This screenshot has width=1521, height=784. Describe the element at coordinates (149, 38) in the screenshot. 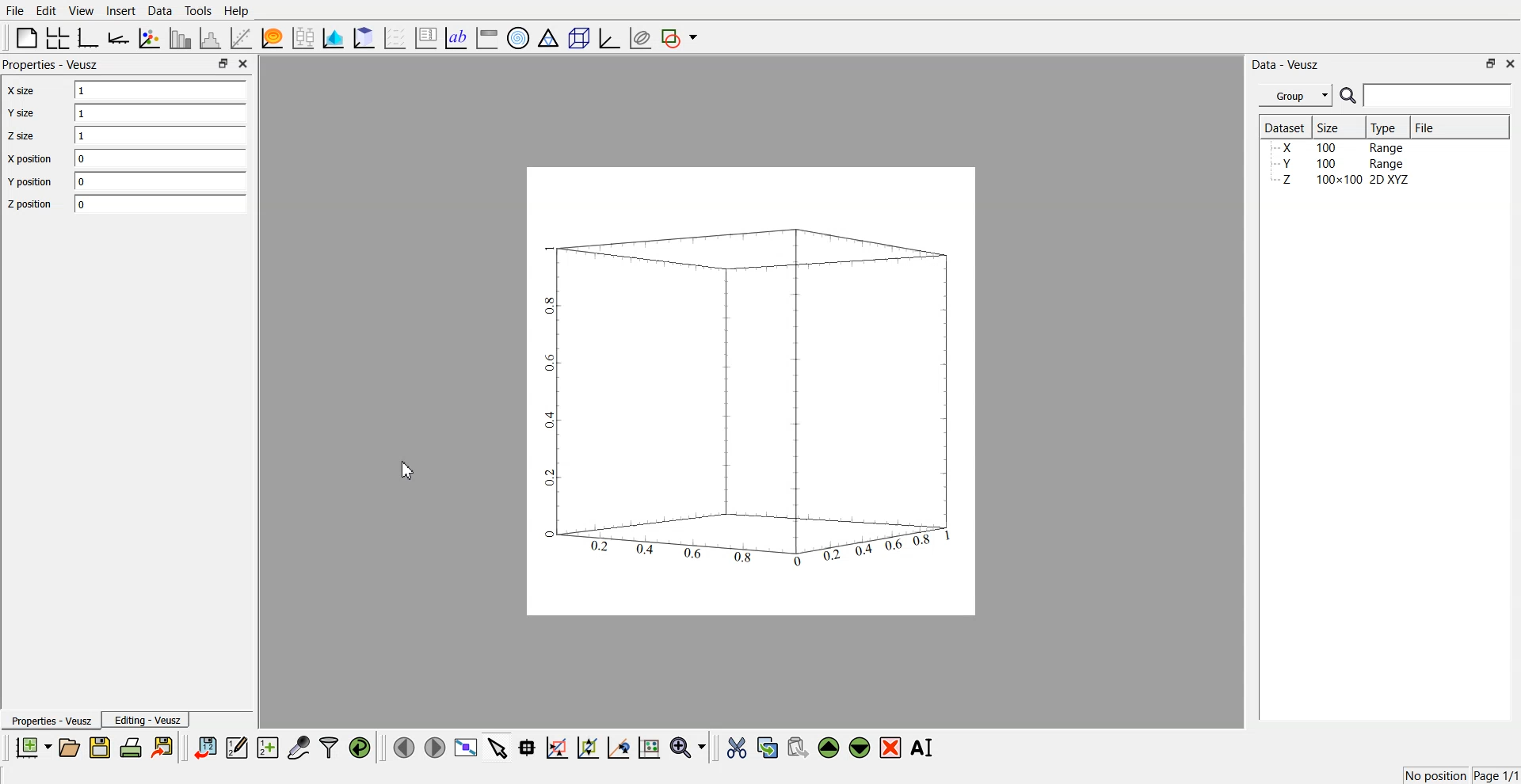

I see `Plot points with lines` at that location.